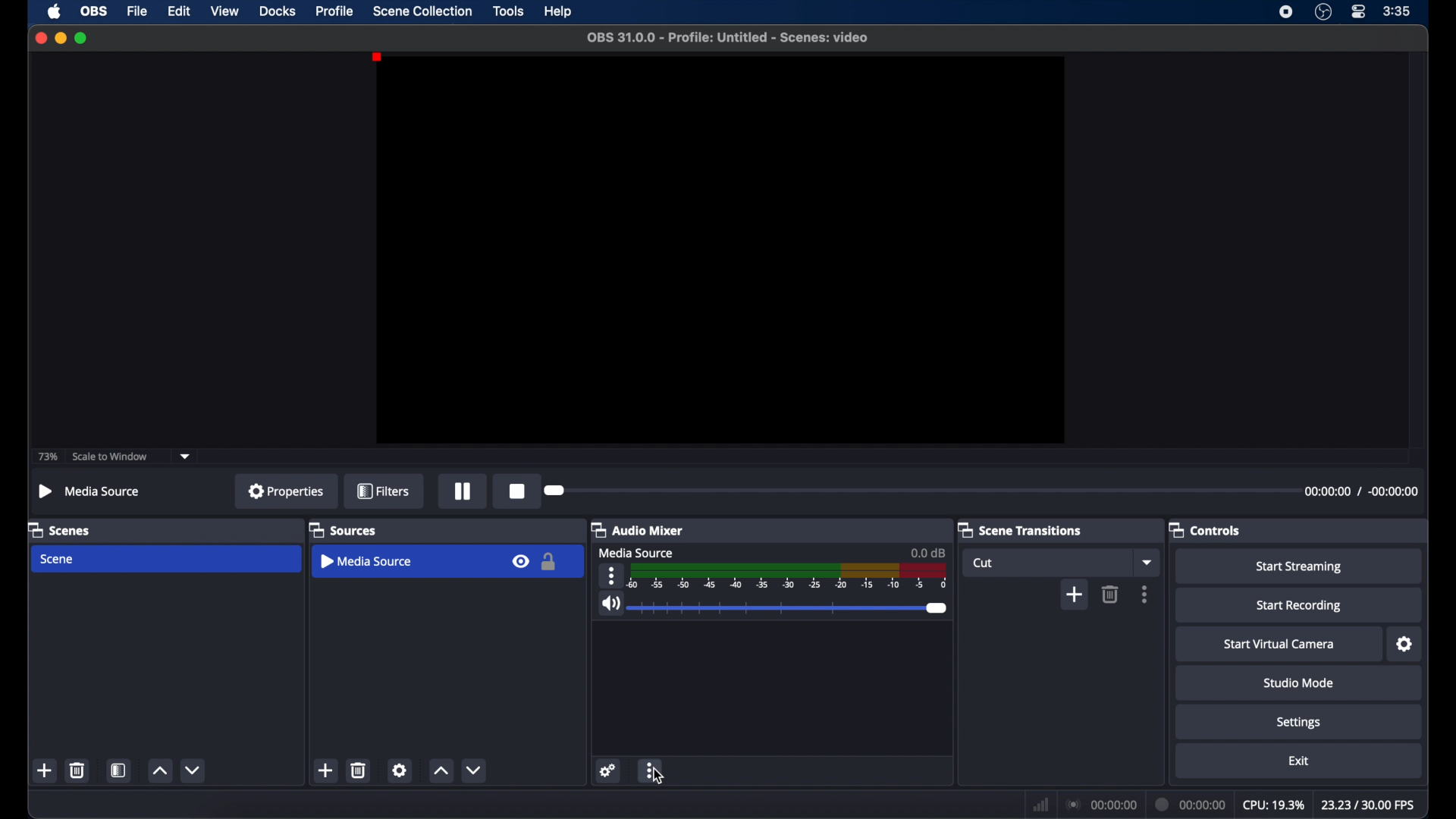  I want to click on studio mode, so click(1300, 682).